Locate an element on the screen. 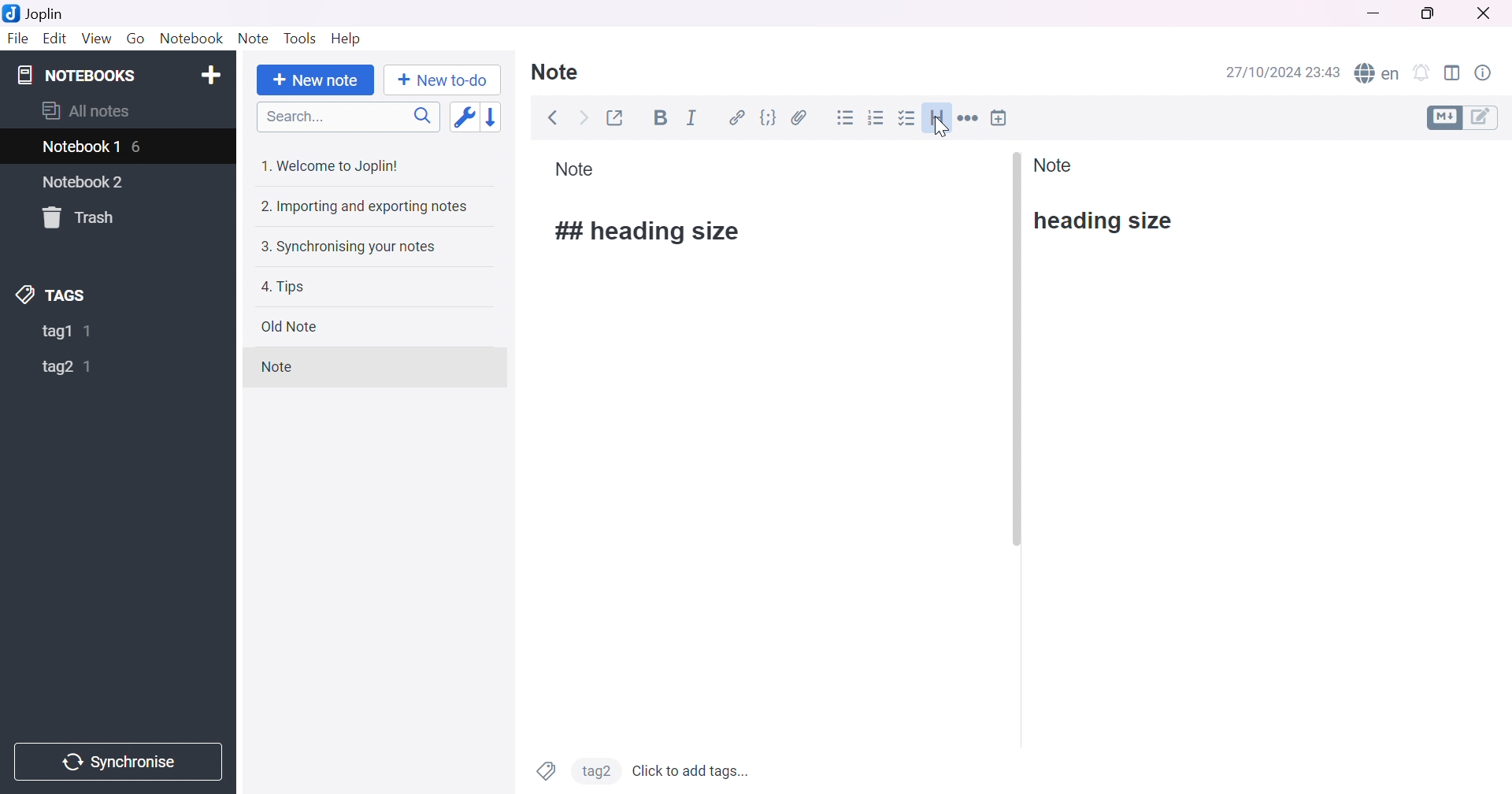 This screenshot has width=1512, height=794. Click to add tags is located at coordinates (693, 770).